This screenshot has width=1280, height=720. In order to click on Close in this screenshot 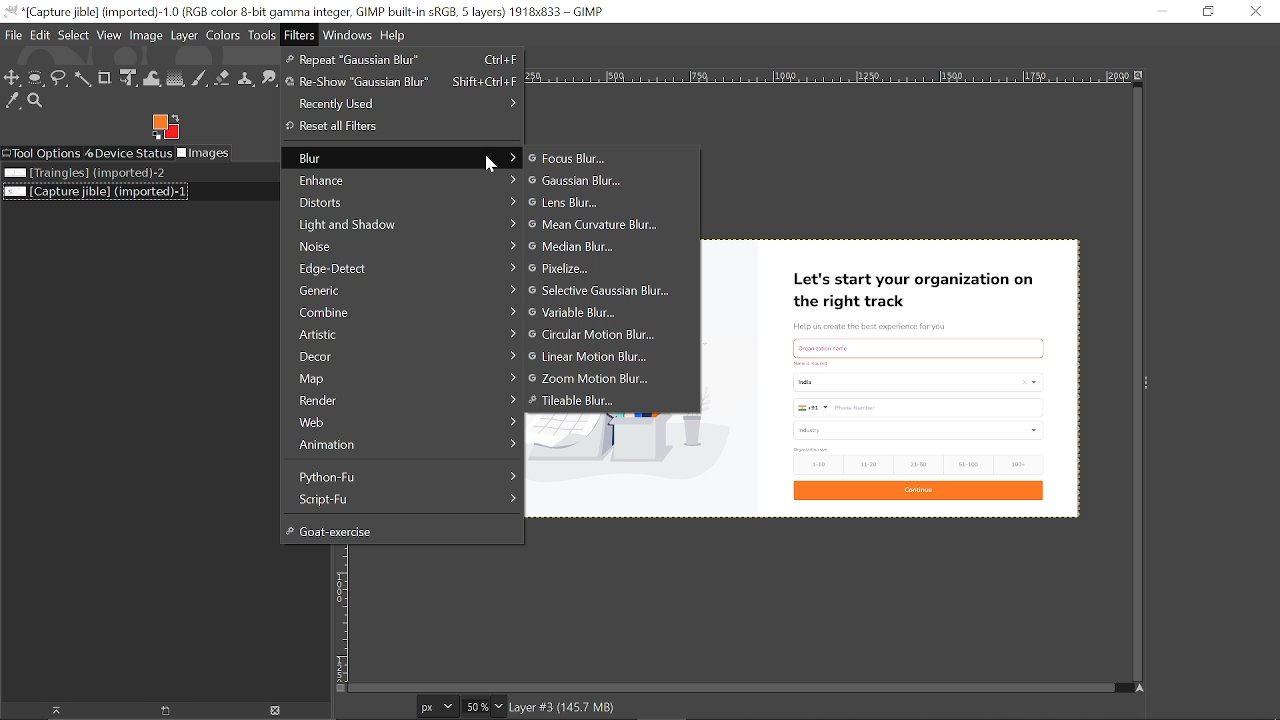, I will do `click(1254, 12)`.